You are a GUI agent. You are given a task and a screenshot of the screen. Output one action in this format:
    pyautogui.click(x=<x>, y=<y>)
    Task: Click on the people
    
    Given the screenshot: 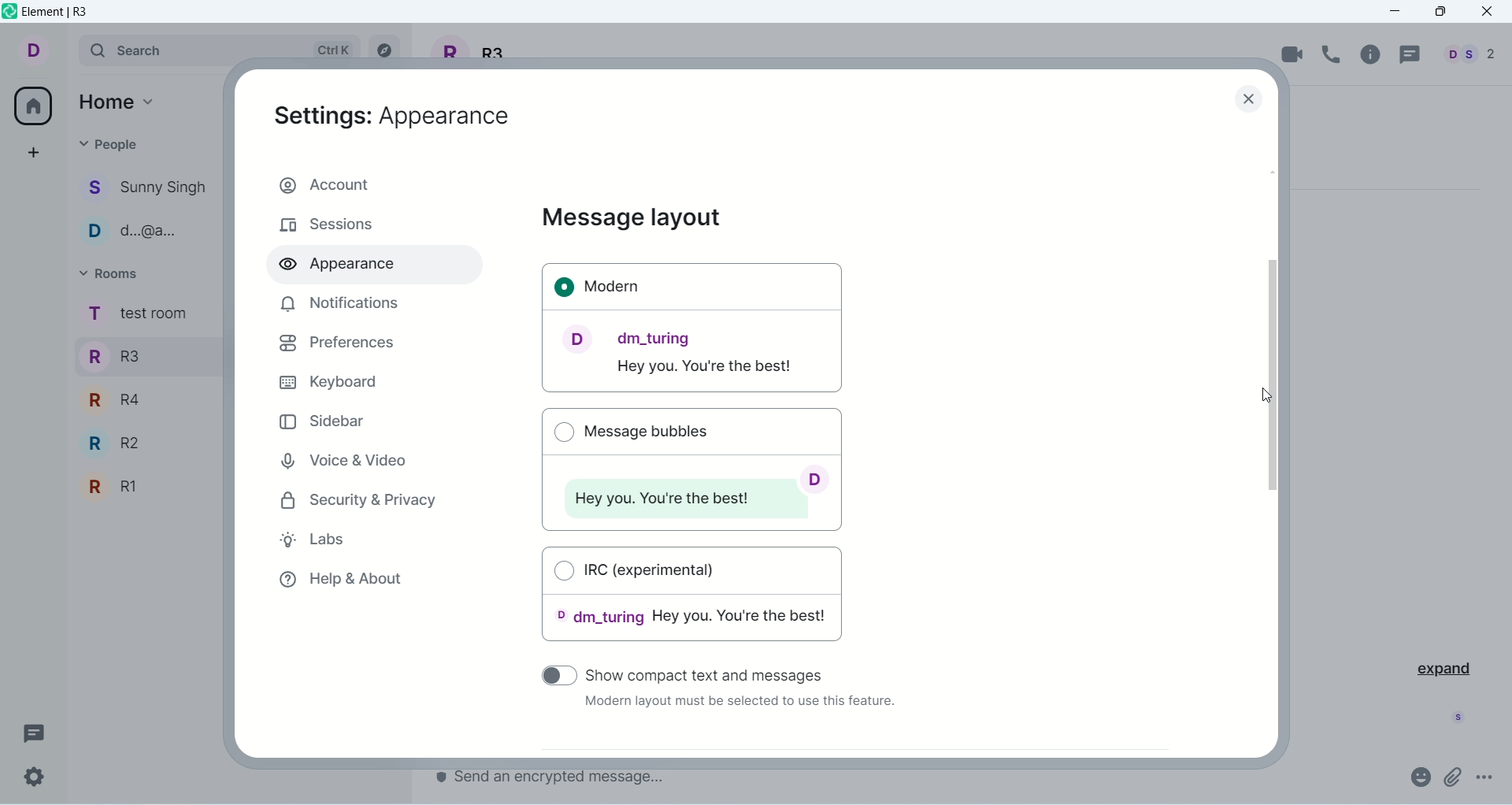 What is the action you would take?
    pyautogui.click(x=1466, y=54)
    